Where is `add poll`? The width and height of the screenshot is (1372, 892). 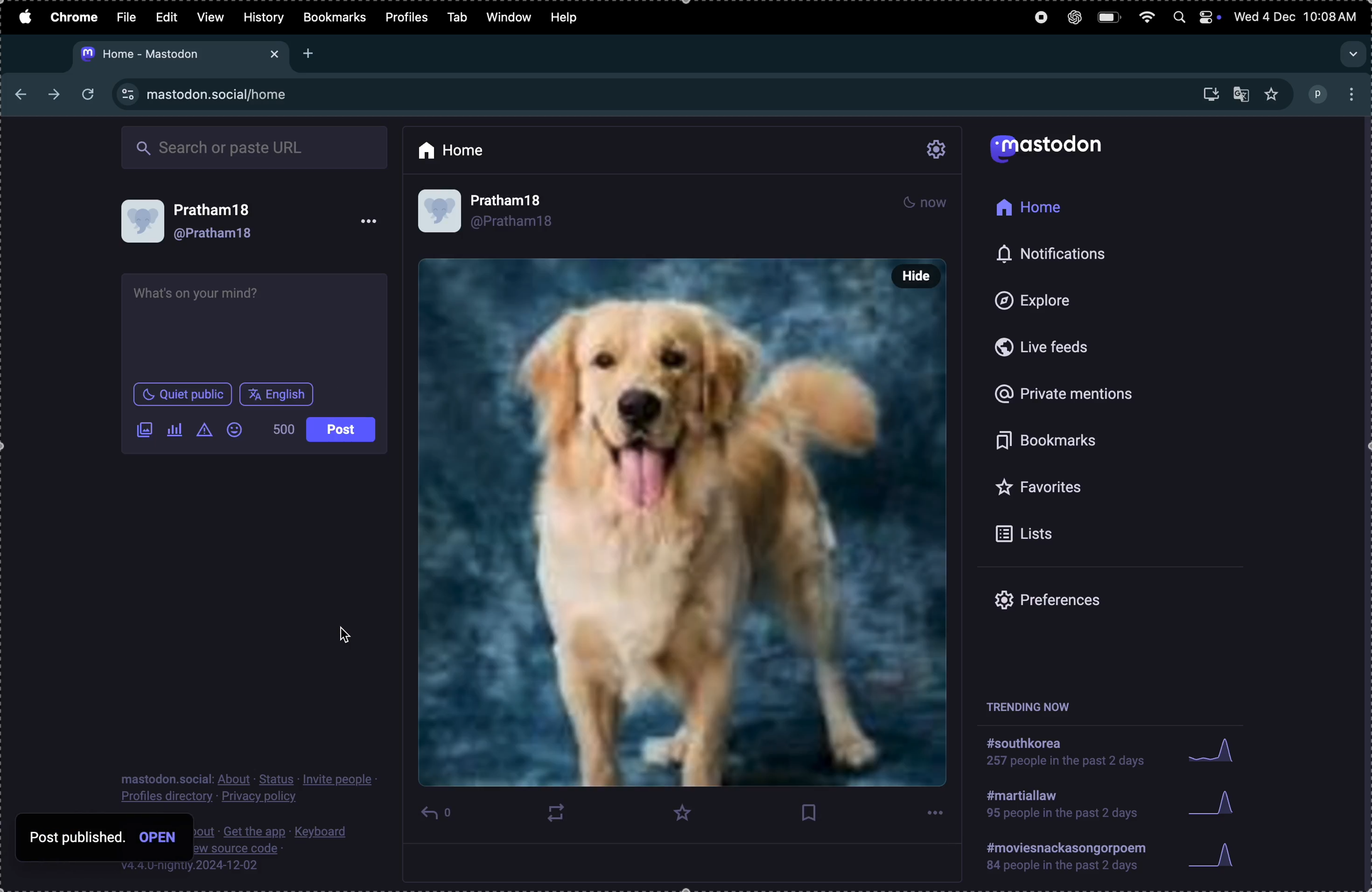 add poll is located at coordinates (176, 429).